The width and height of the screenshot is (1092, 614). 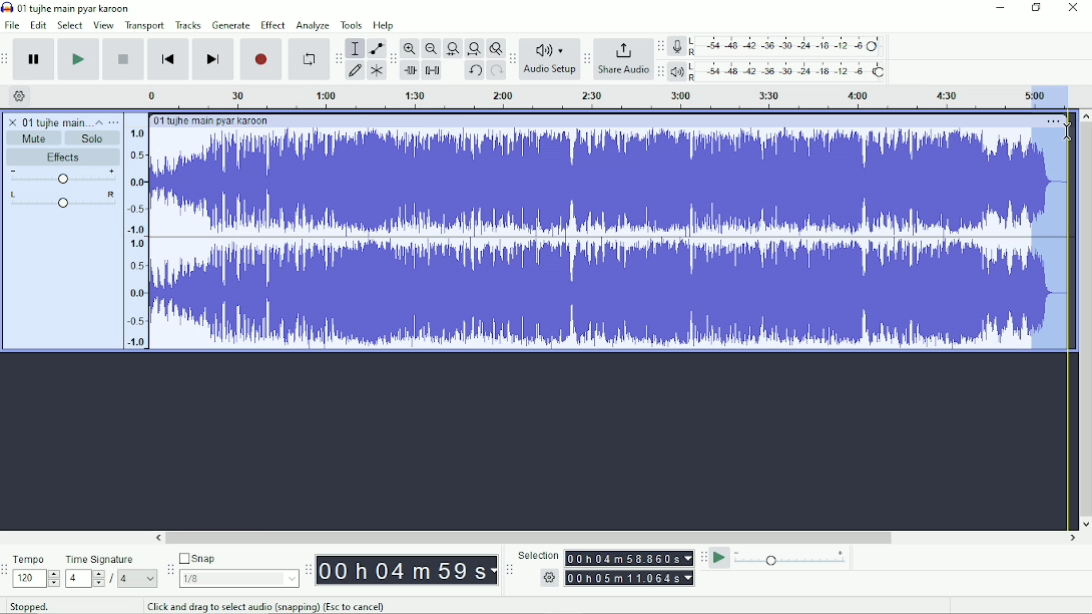 What do you see at coordinates (509, 569) in the screenshot?
I see `Audacity selection toolbar` at bounding box center [509, 569].